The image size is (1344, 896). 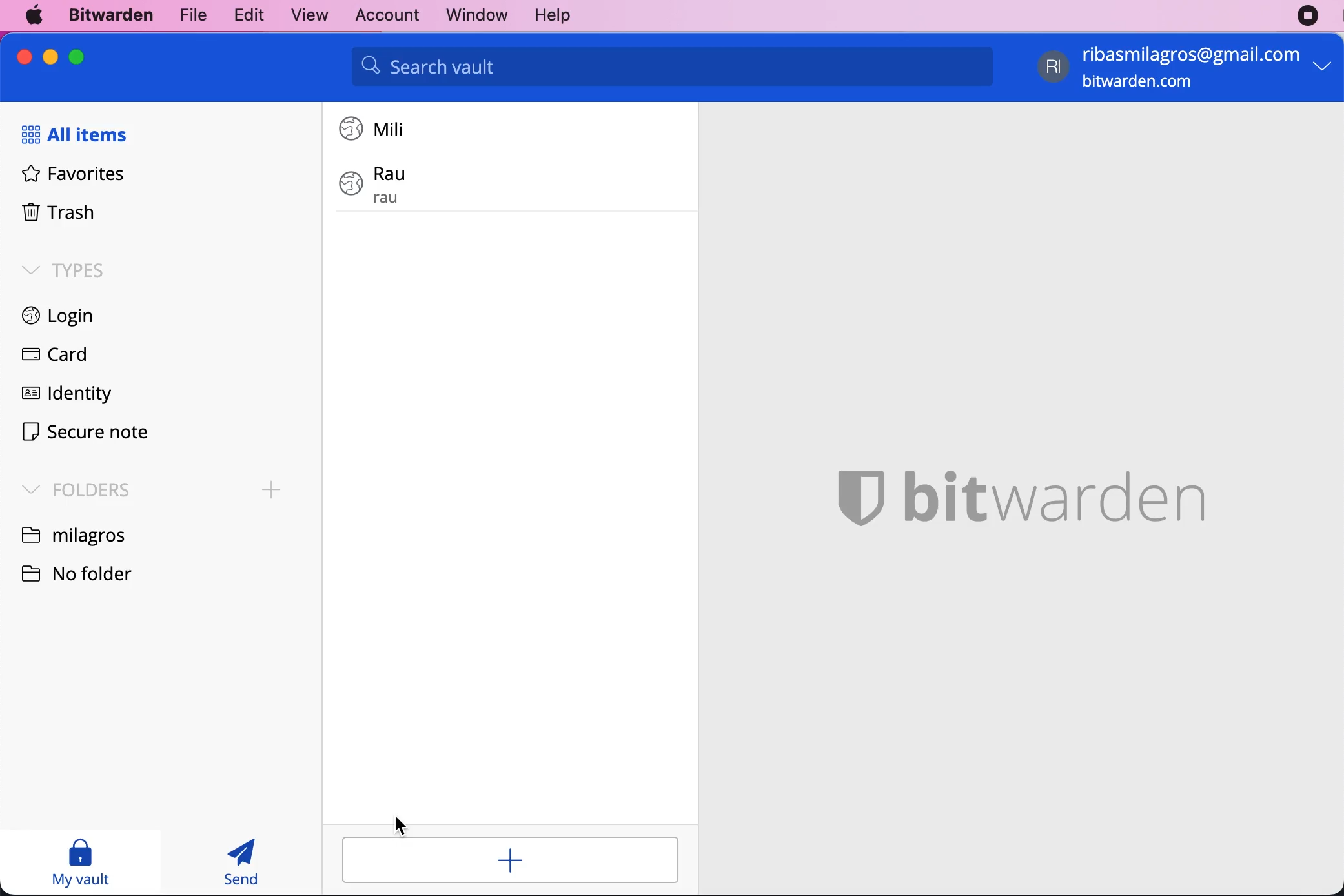 What do you see at coordinates (50, 57) in the screenshot?
I see `minimize` at bounding box center [50, 57].